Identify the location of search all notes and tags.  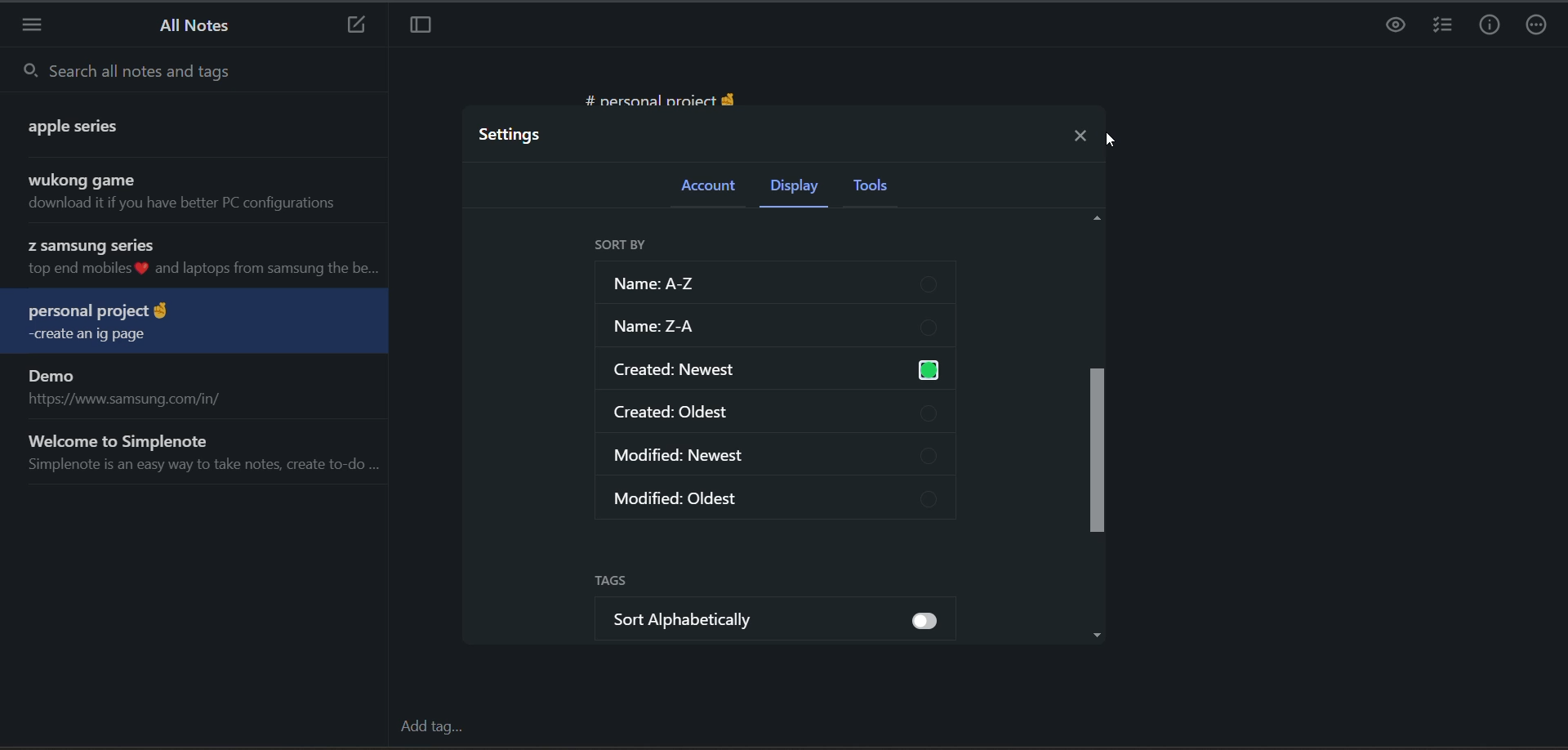
(202, 74).